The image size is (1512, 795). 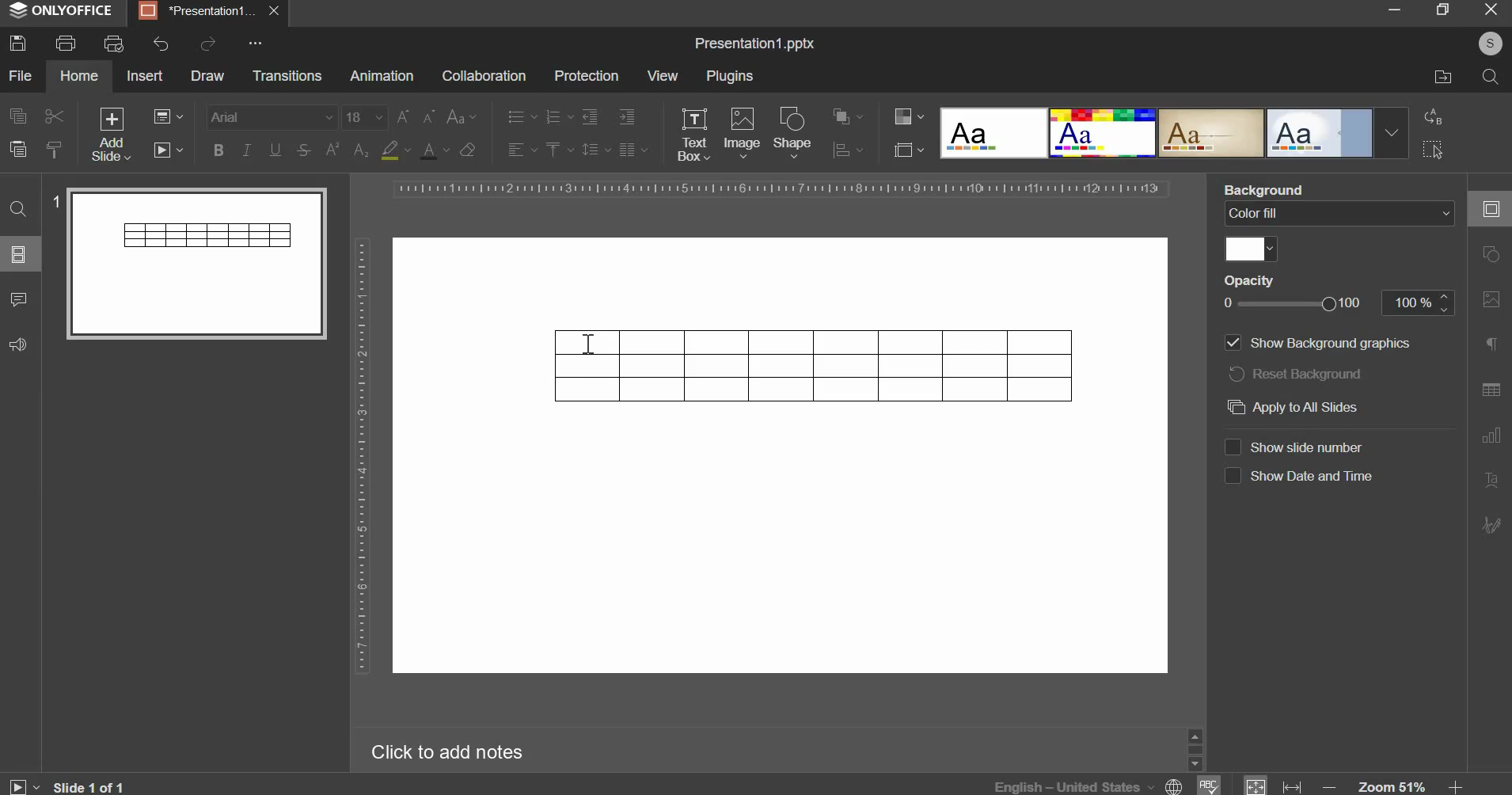 I want to click on opacity percentage, so click(x=1337, y=310).